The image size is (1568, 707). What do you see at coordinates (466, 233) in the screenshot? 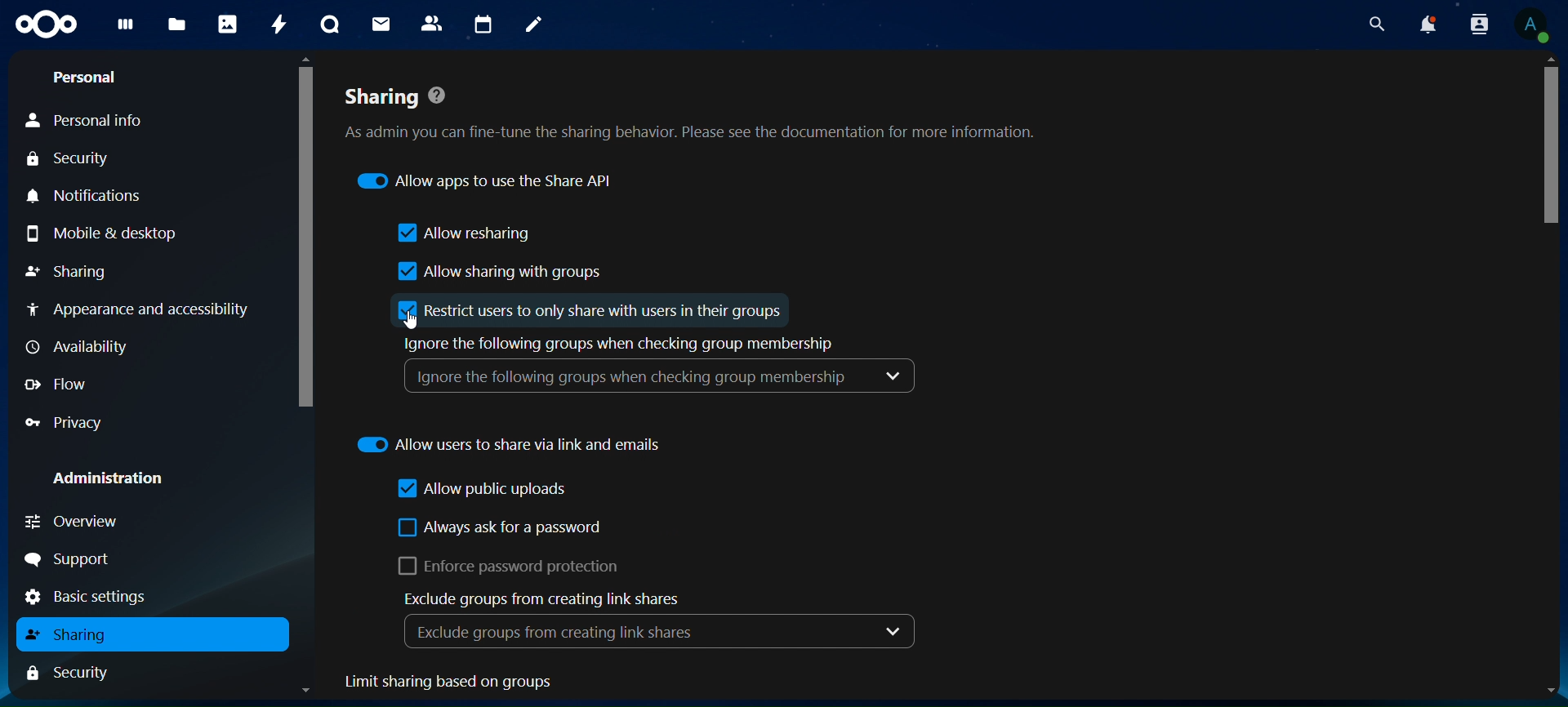
I see `allow resharing` at bounding box center [466, 233].